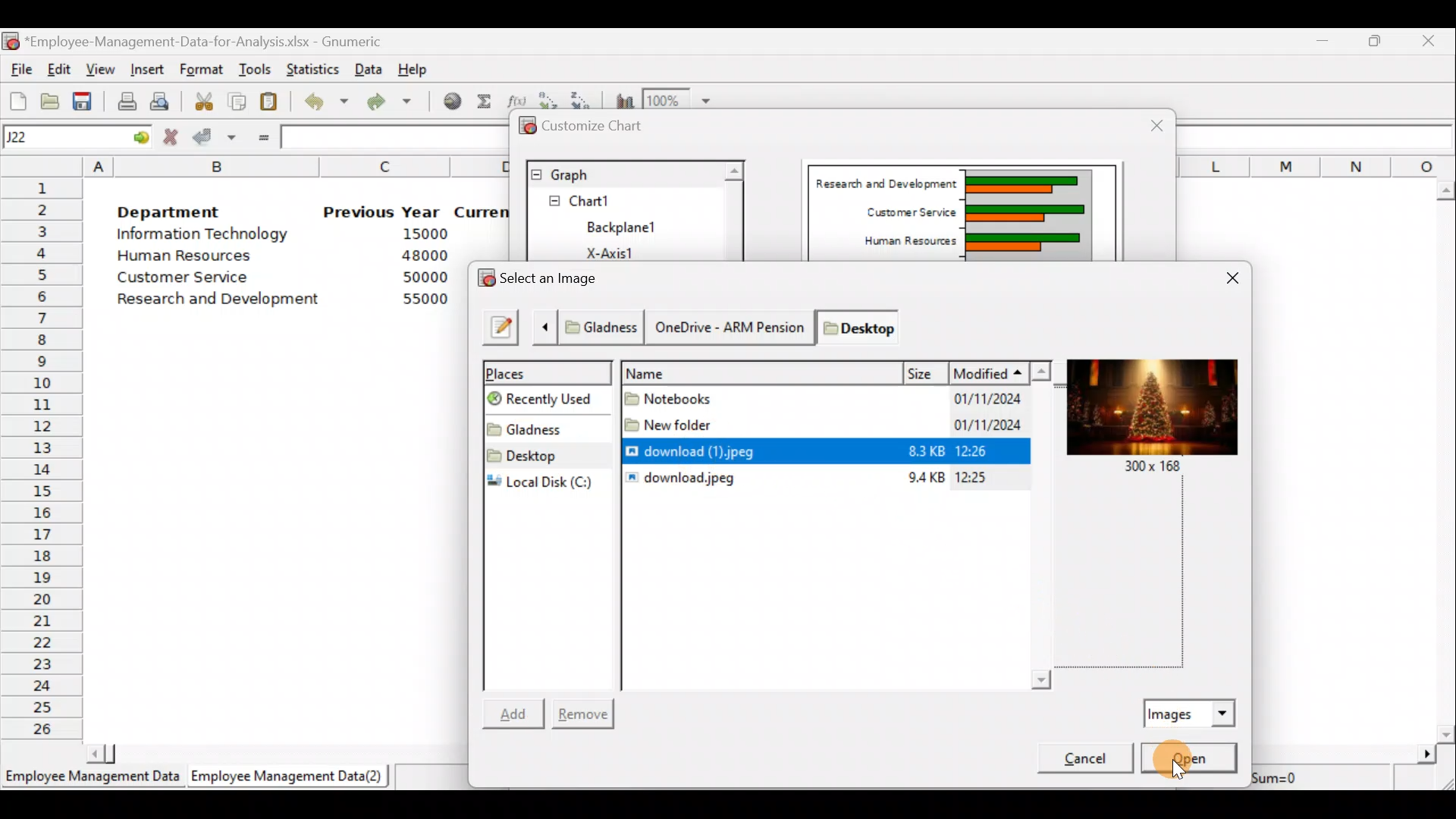 This screenshot has height=819, width=1456. Describe the element at coordinates (290, 777) in the screenshot. I see `Employee Management Data (2)` at that location.